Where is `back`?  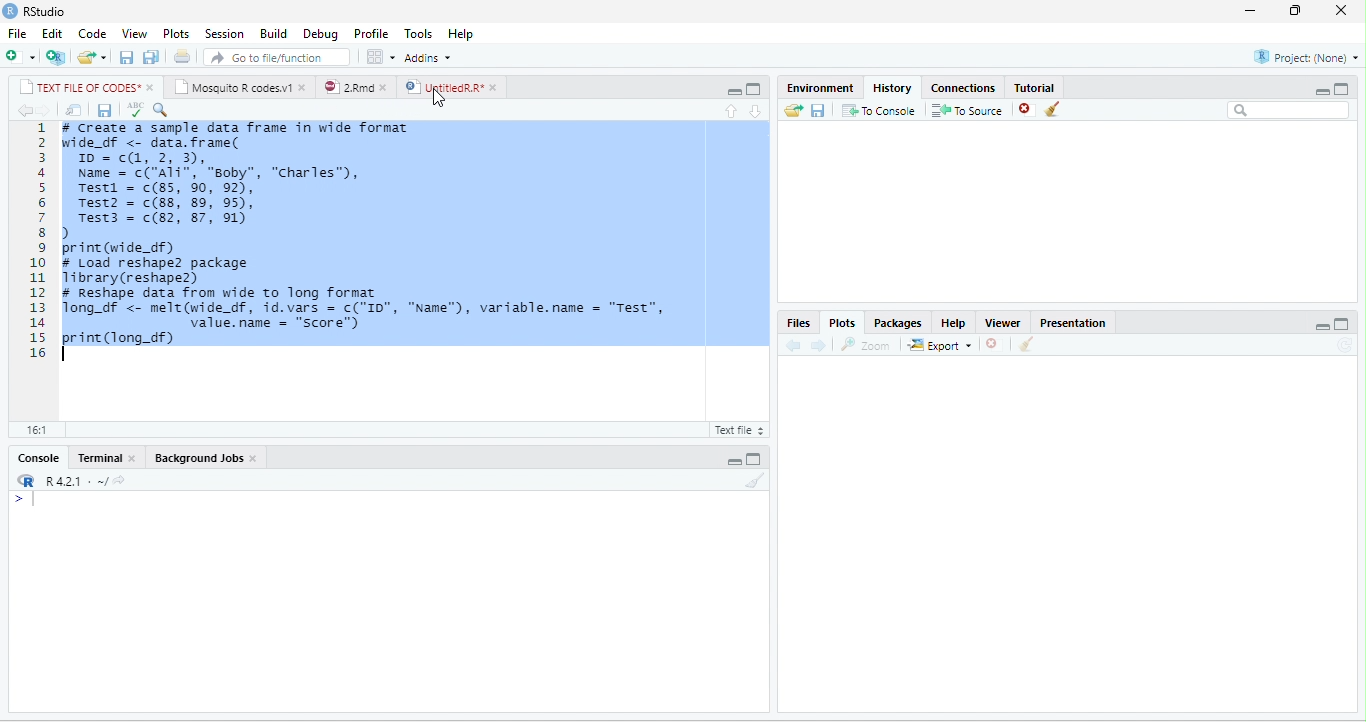
back is located at coordinates (23, 110).